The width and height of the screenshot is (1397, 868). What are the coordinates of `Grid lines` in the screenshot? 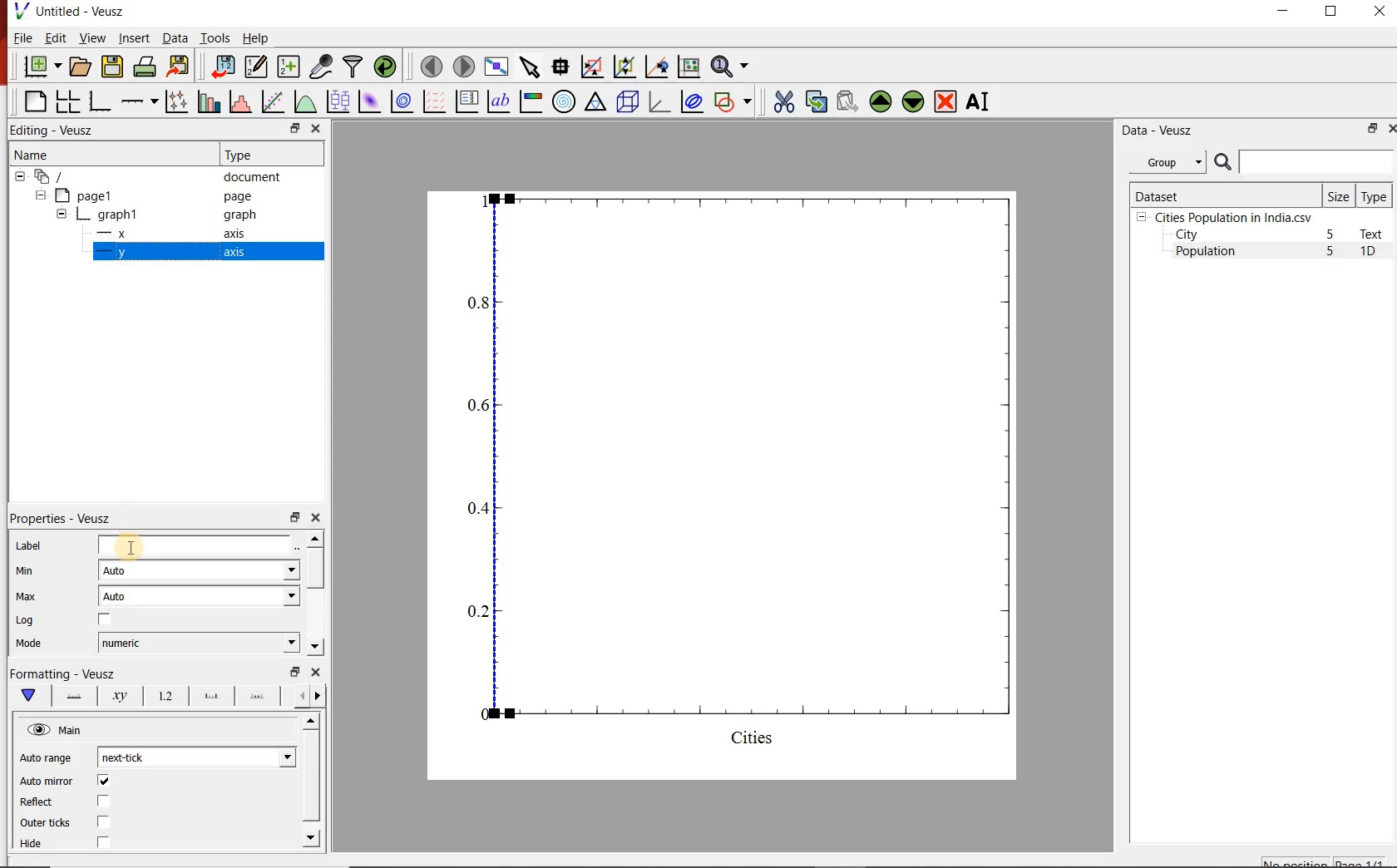 It's located at (312, 695).